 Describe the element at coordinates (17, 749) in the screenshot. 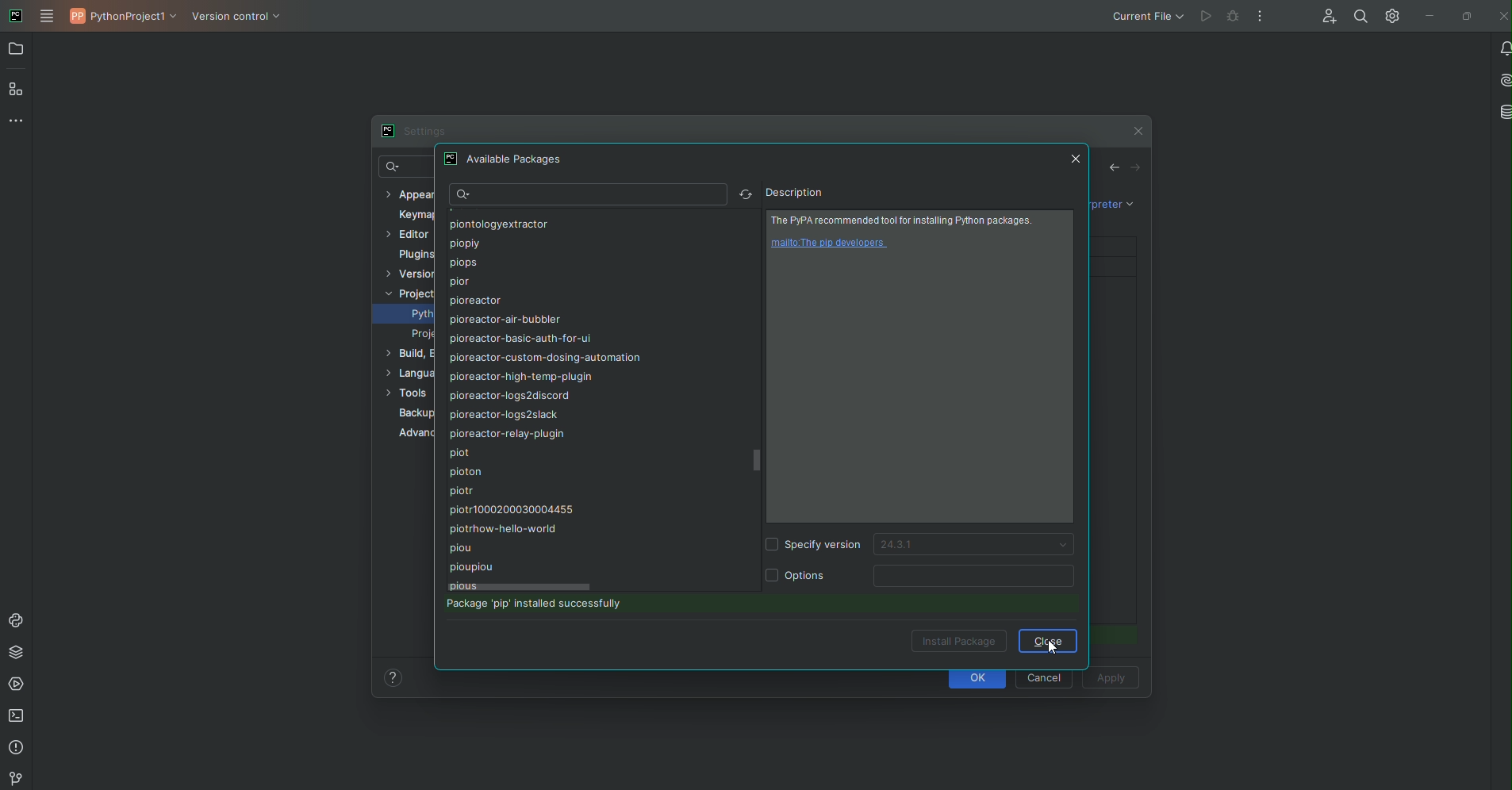

I see `Problems` at that location.